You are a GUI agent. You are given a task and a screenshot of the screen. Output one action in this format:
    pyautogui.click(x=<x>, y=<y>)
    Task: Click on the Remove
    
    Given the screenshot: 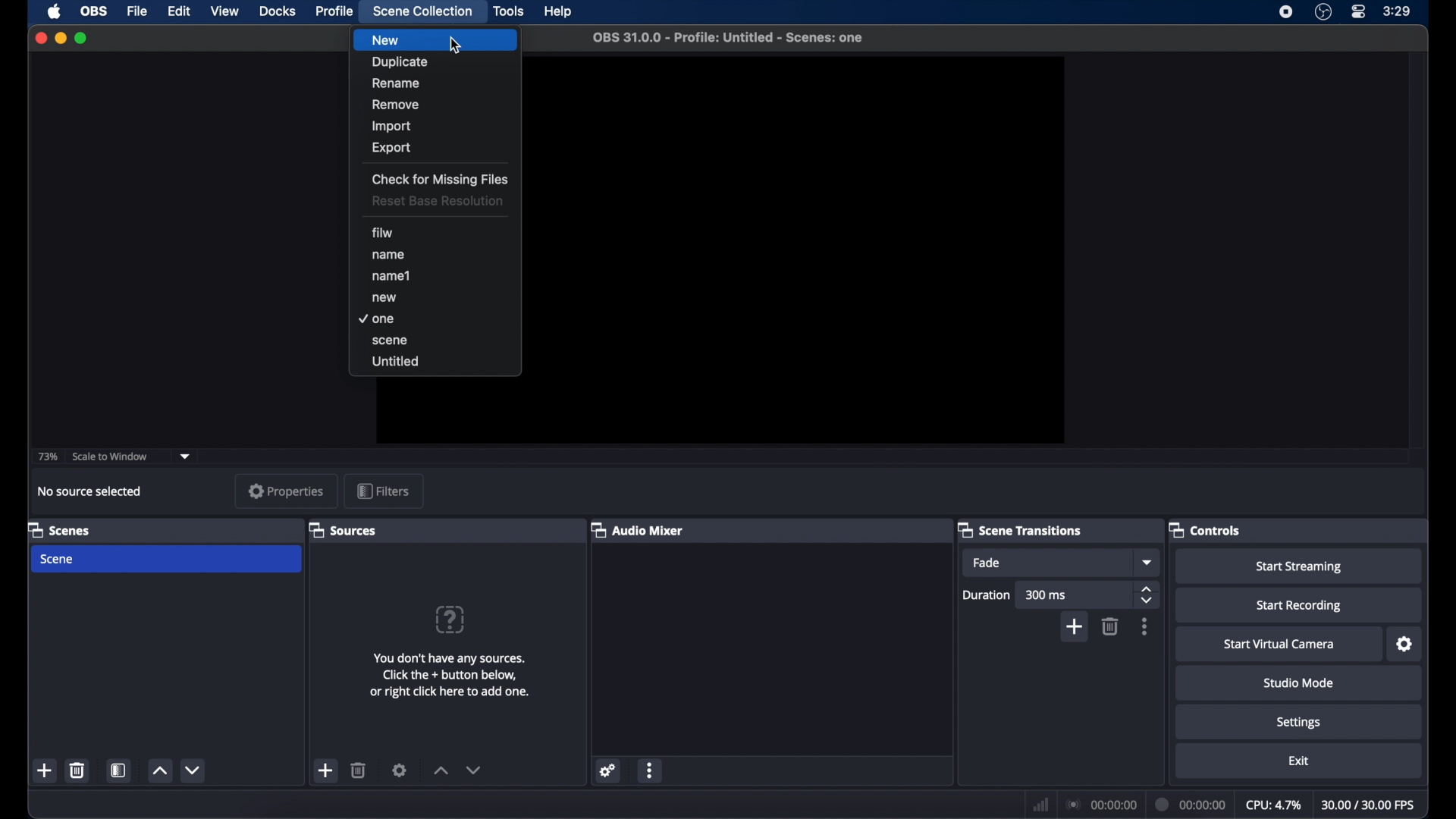 What is the action you would take?
    pyautogui.click(x=435, y=104)
    